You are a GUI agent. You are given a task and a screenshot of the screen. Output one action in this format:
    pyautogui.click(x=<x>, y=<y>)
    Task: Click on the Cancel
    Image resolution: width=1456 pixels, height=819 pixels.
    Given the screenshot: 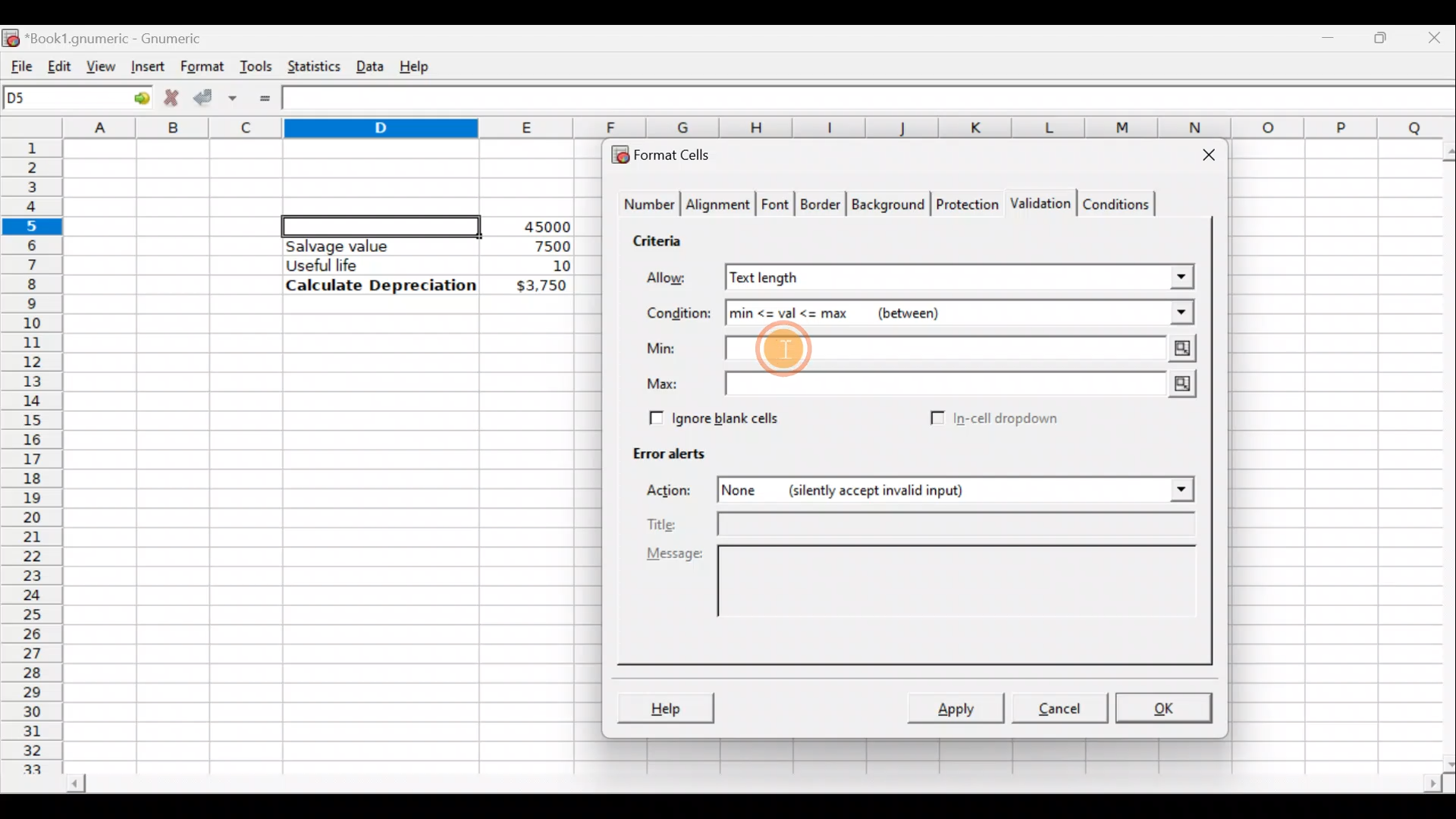 What is the action you would take?
    pyautogui.click(x=1057, y=707)
    